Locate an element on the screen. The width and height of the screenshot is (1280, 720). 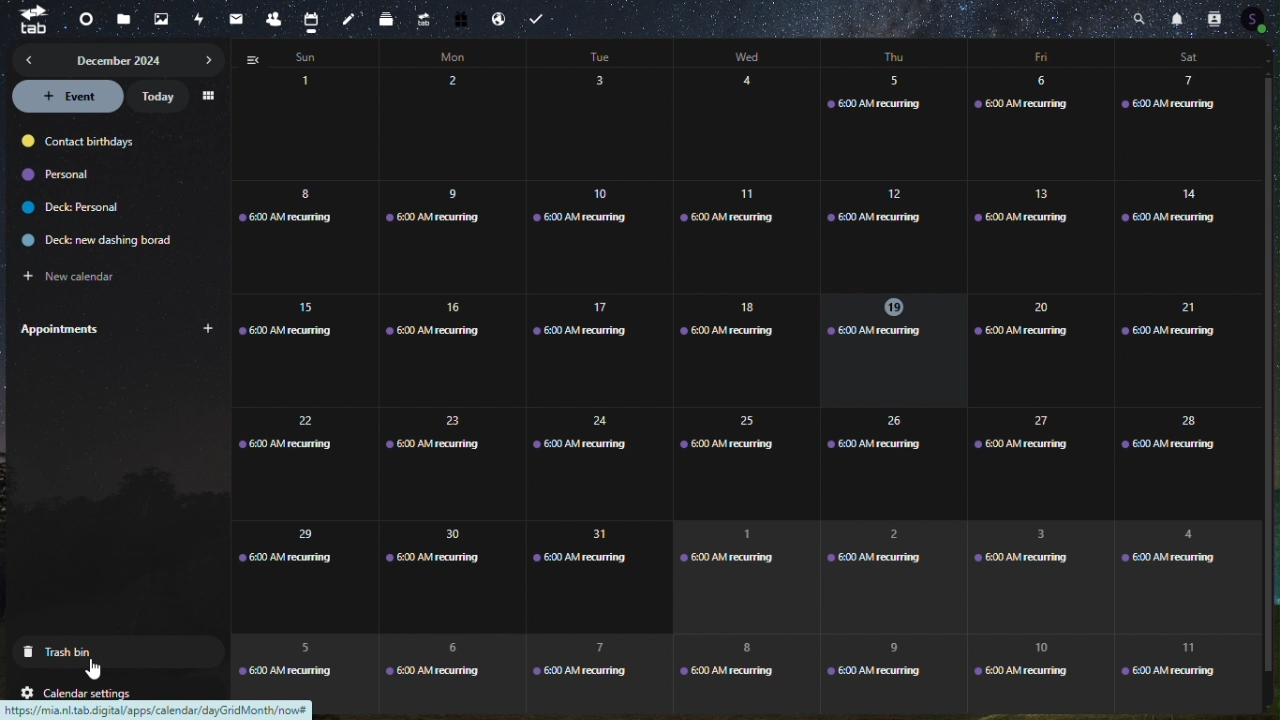
today is located at coordinates (161, 97).